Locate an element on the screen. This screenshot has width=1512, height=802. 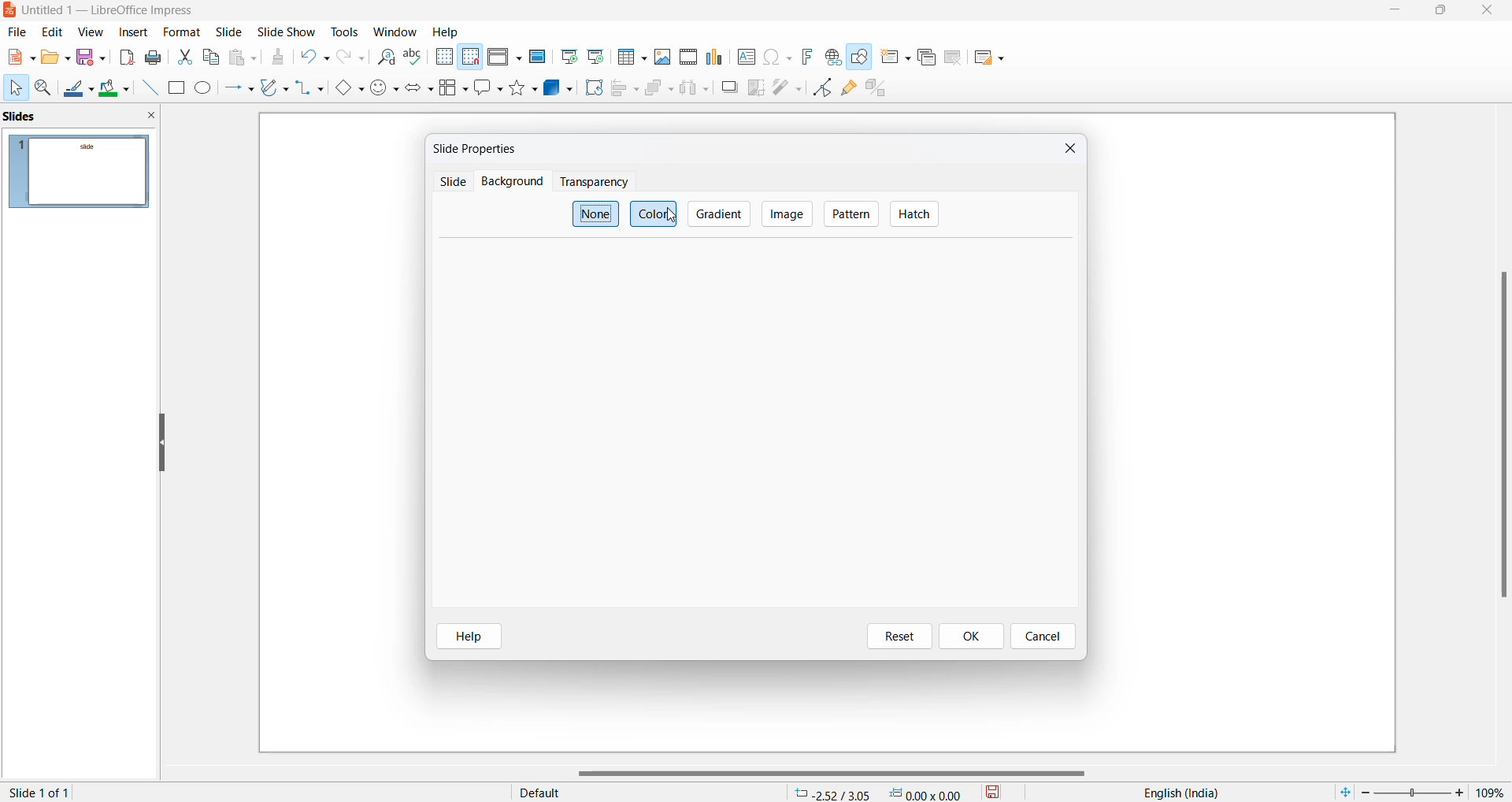
insert table is located at coordinates (631, 57).